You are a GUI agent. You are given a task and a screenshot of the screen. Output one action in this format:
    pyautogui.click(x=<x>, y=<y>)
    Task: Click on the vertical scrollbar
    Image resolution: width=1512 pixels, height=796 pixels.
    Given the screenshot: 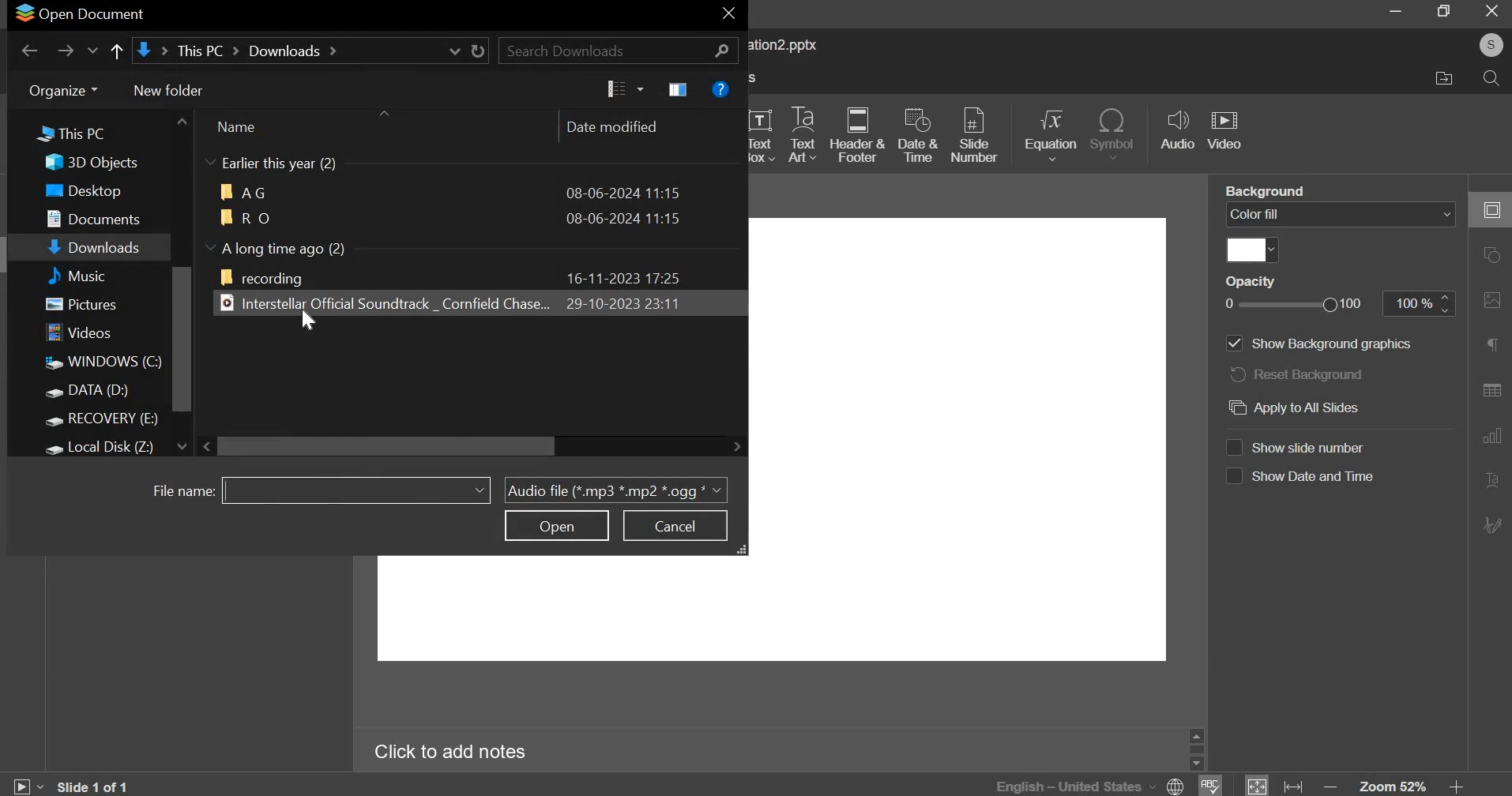 What is the action you would take?
    pyautogui.click(x=182, y=340)
    